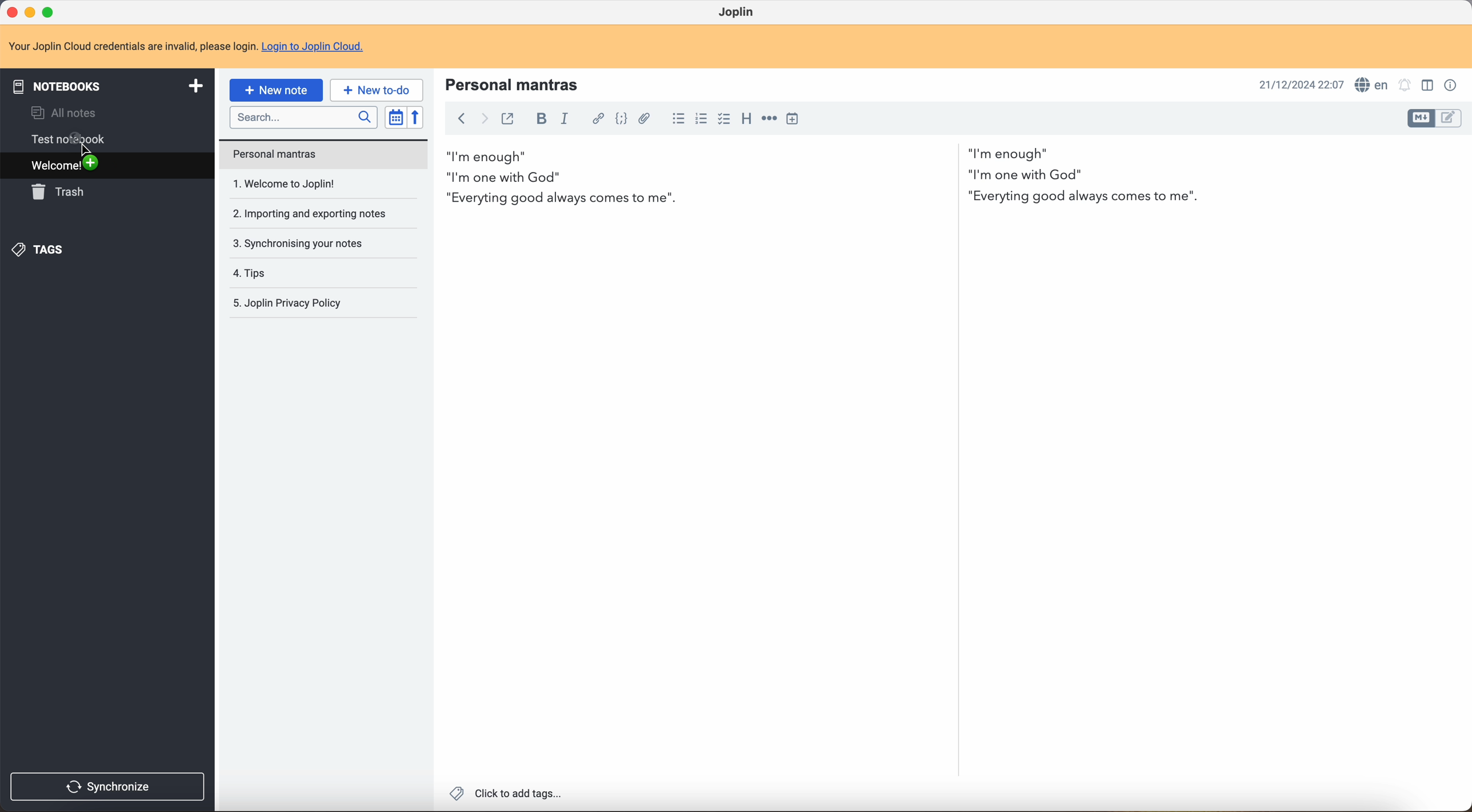 The height and width of the screenshot is (812, 1472). What do you see at coordinates (509, 120) in the screenshot?
I see `toggle external editing` at bounding box center [509, 120].